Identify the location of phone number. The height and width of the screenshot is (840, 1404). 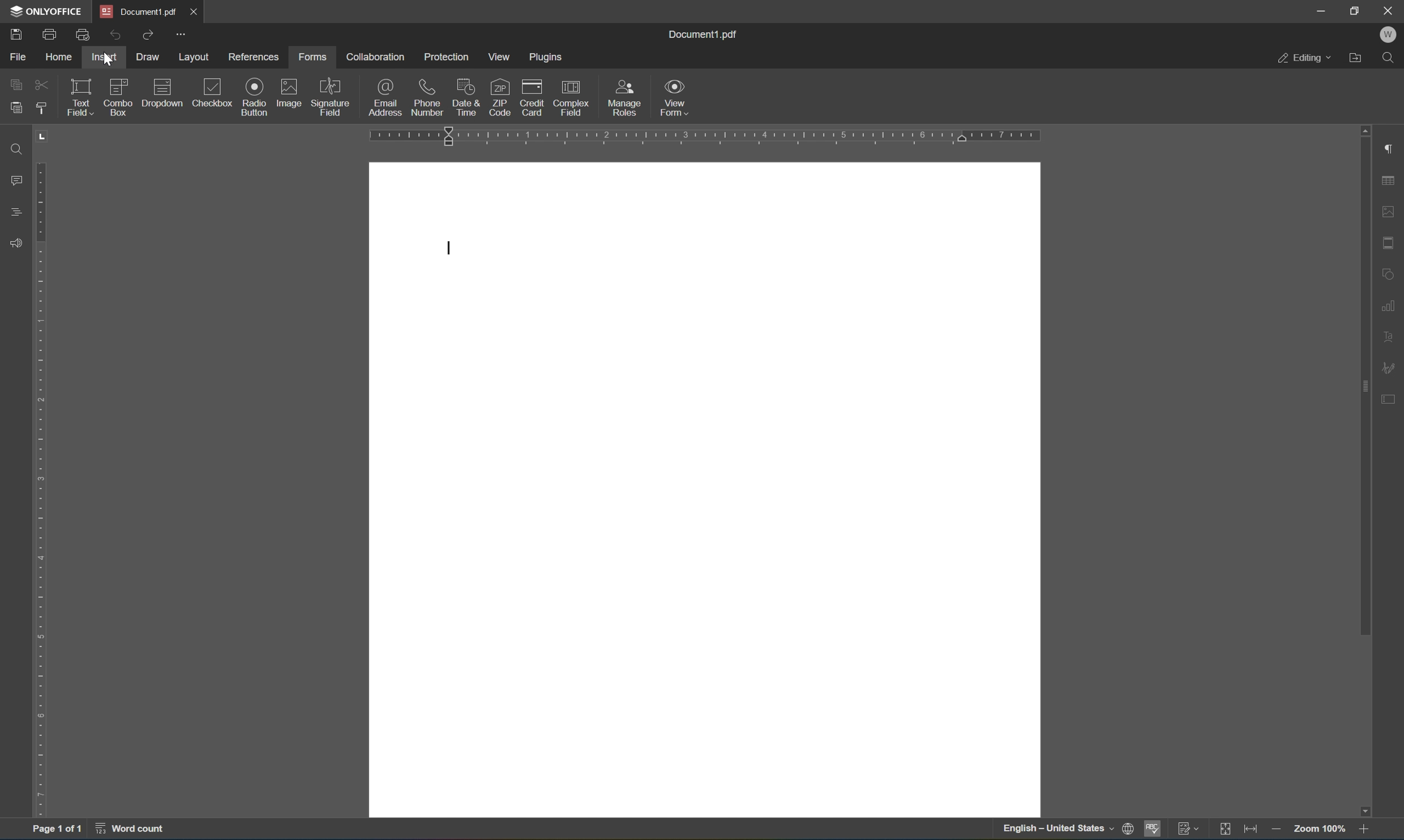
(427, 97).